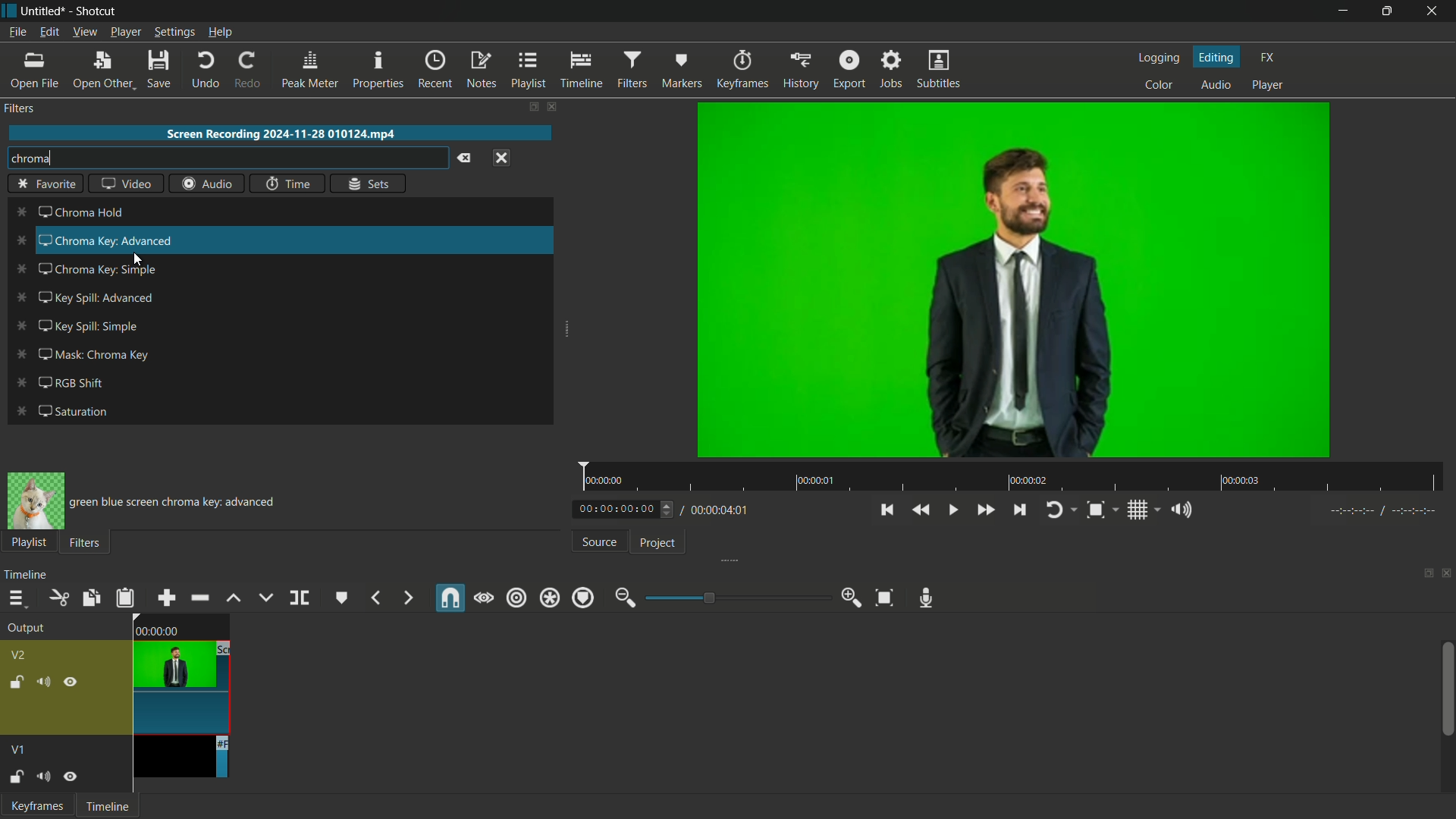 The height and width of the screenshot is (819, 1456). What do you see at coordinates (96, 11) in the screenshot?
I see `shotcut` at bounding box center [96, 11].